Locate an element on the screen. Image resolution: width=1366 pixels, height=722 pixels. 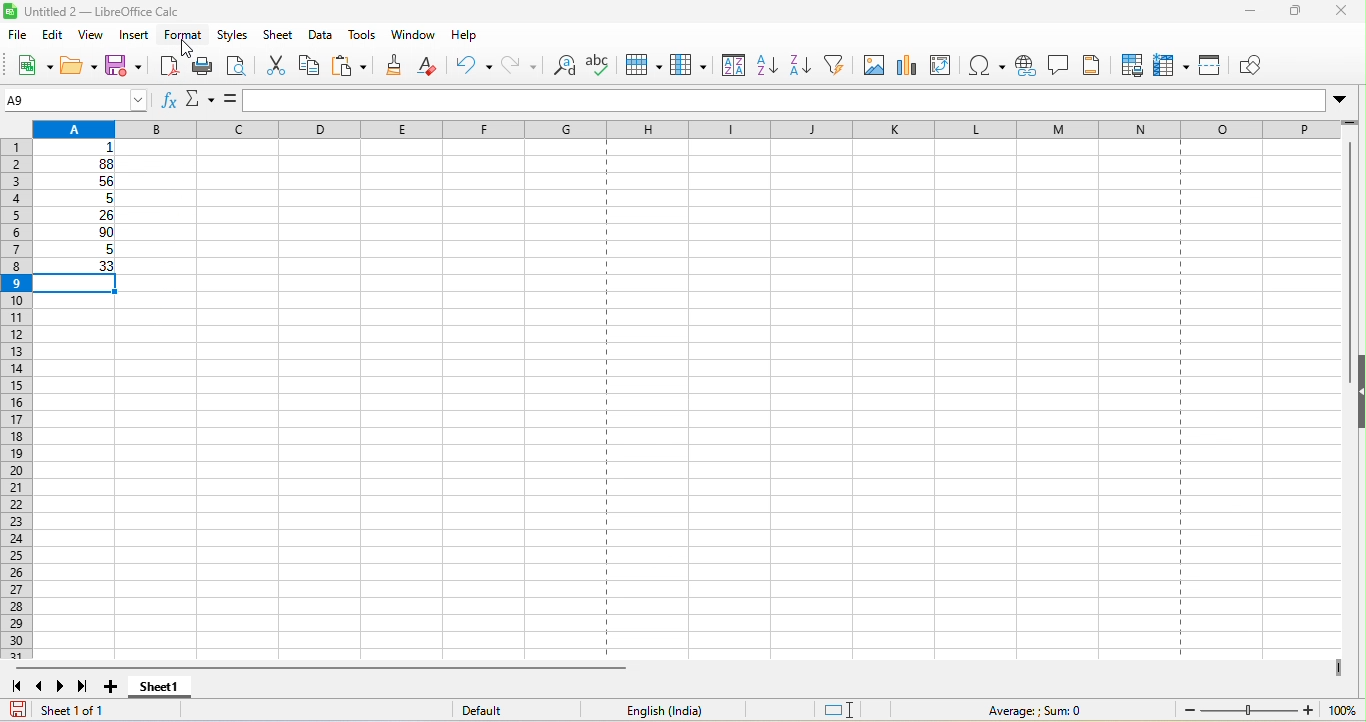
untitled 2-libre office calc is located at coordinates (163, 12).